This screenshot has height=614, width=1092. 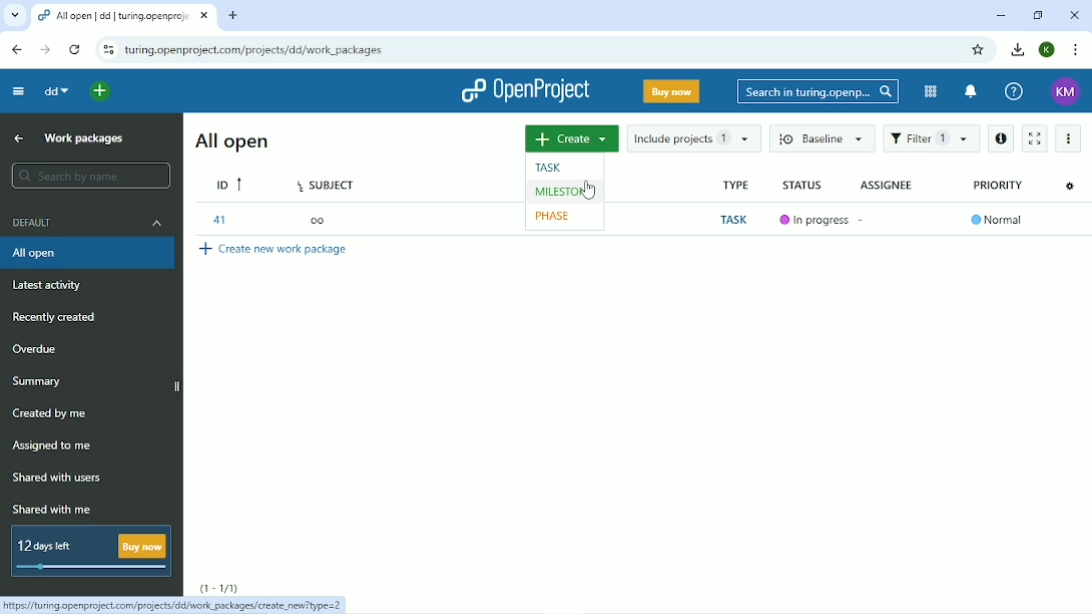 I want to click on Summary, so click(x=38, y=382).